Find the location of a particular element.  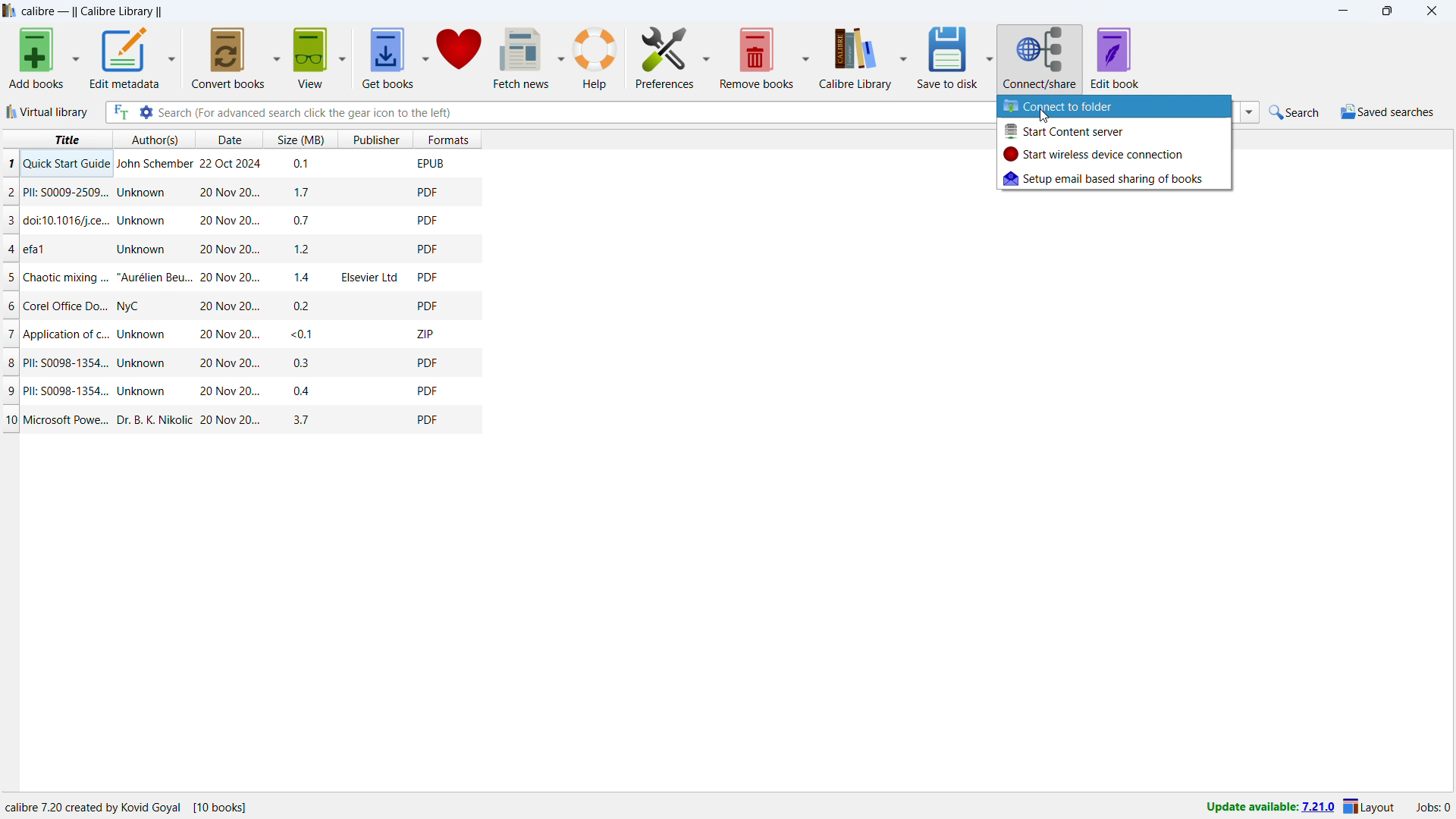

help is located at coordinates (596, 57).